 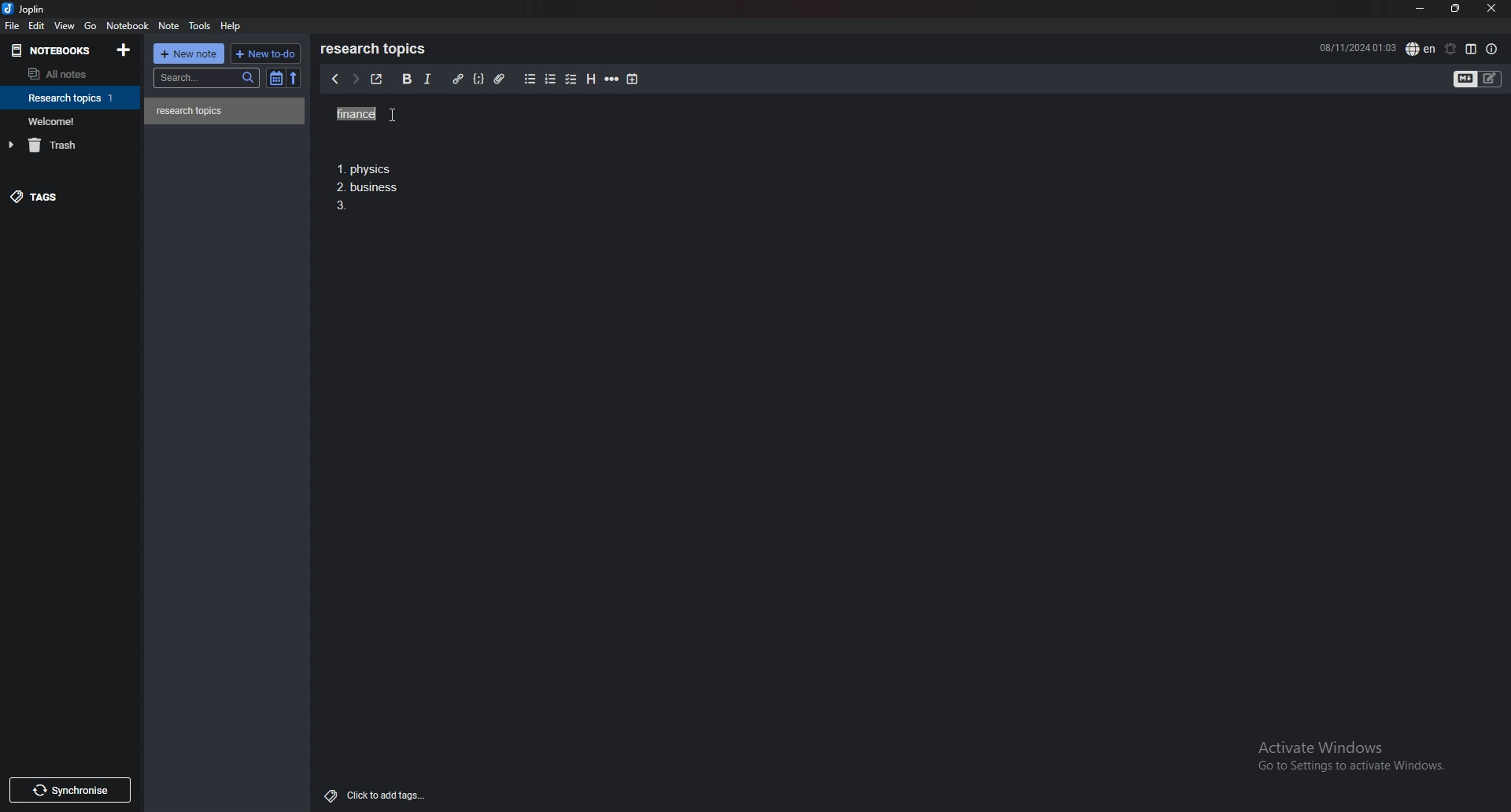 What do you see at coordinates (633, 79) in the screenshot?
I see `add time` at bounding box center [633, 79].